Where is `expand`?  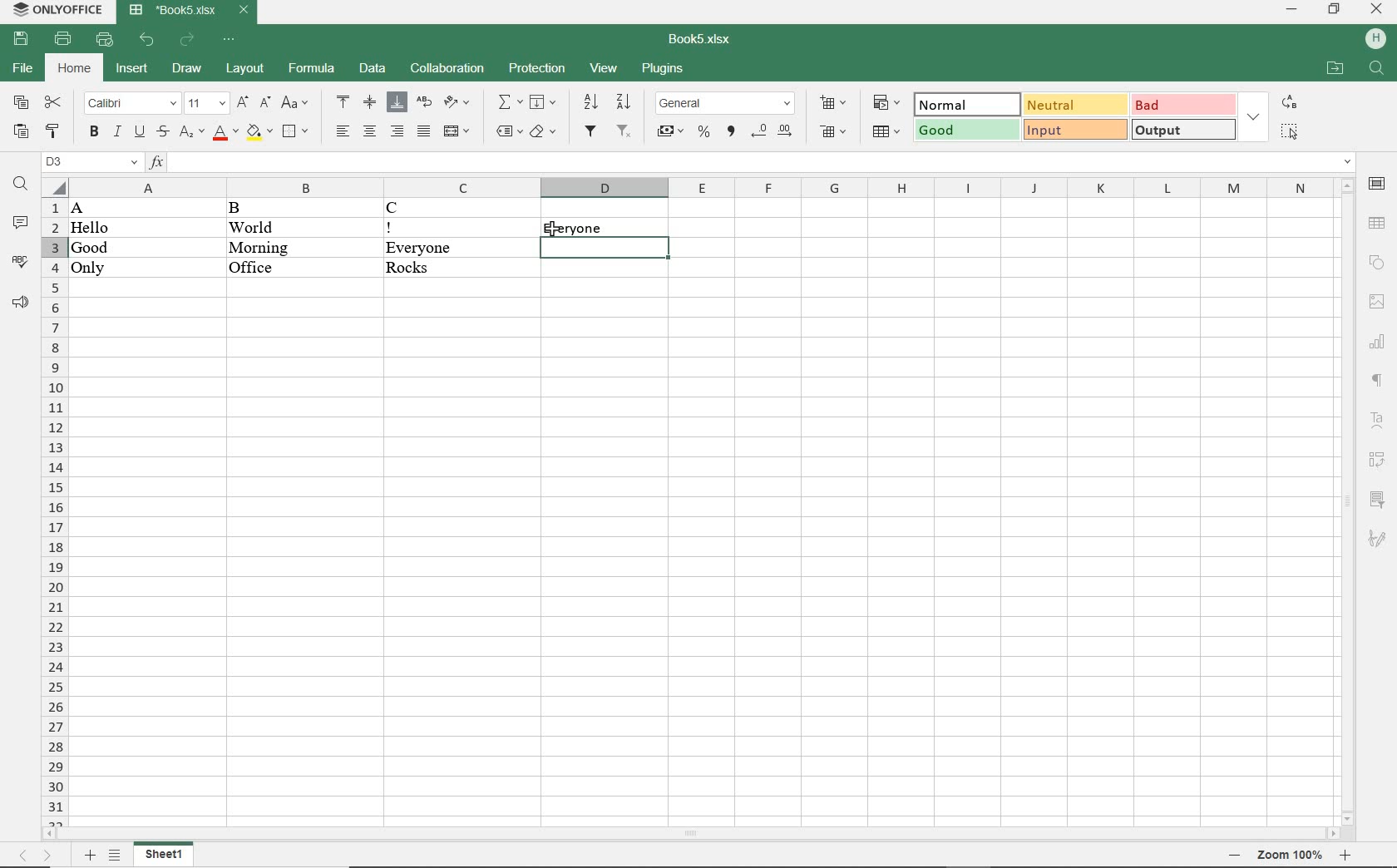
expand is located at coordinates (1255, 116).